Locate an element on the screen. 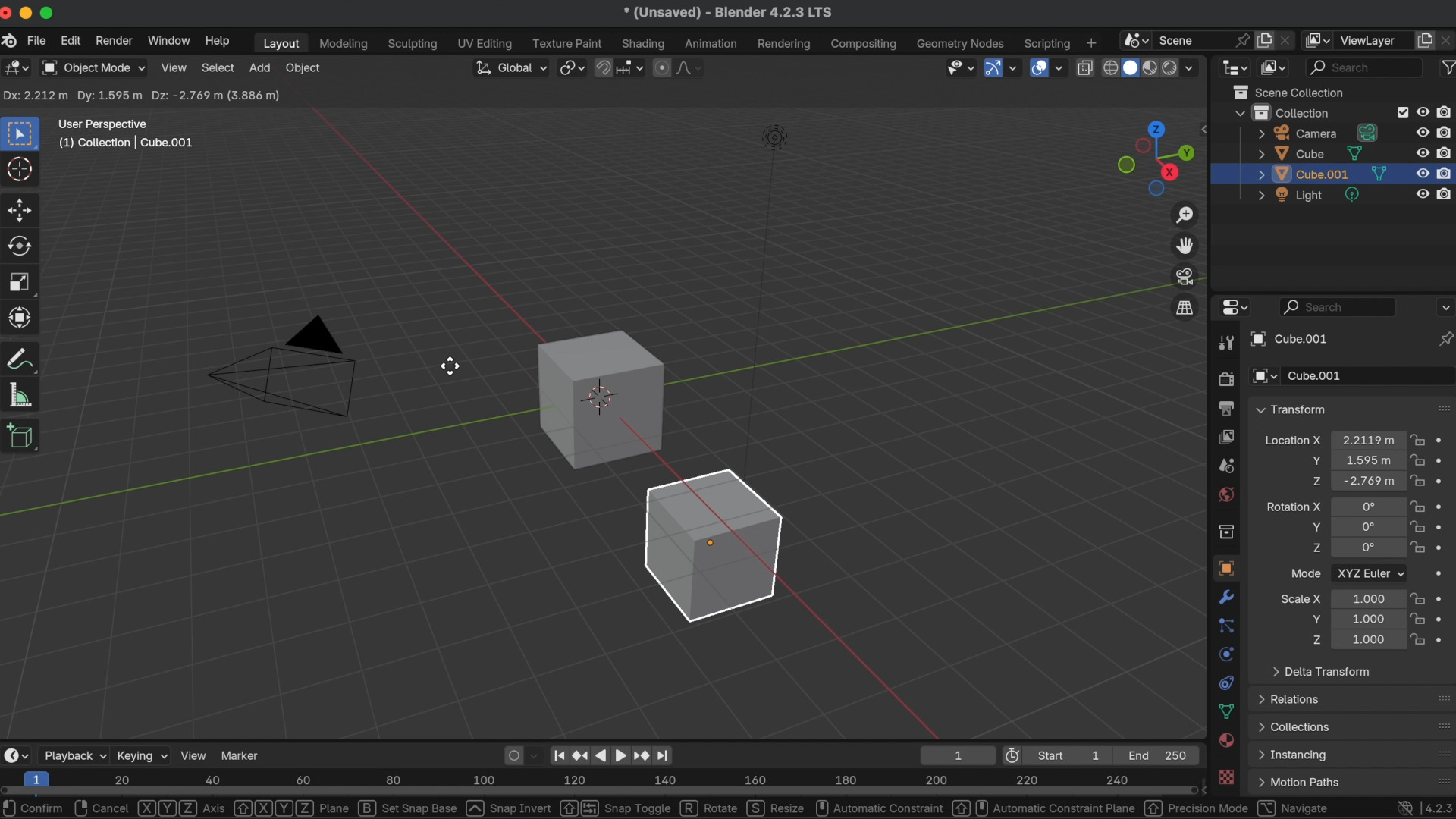  pin scene to workspace is located at coordinates (1241, 38).